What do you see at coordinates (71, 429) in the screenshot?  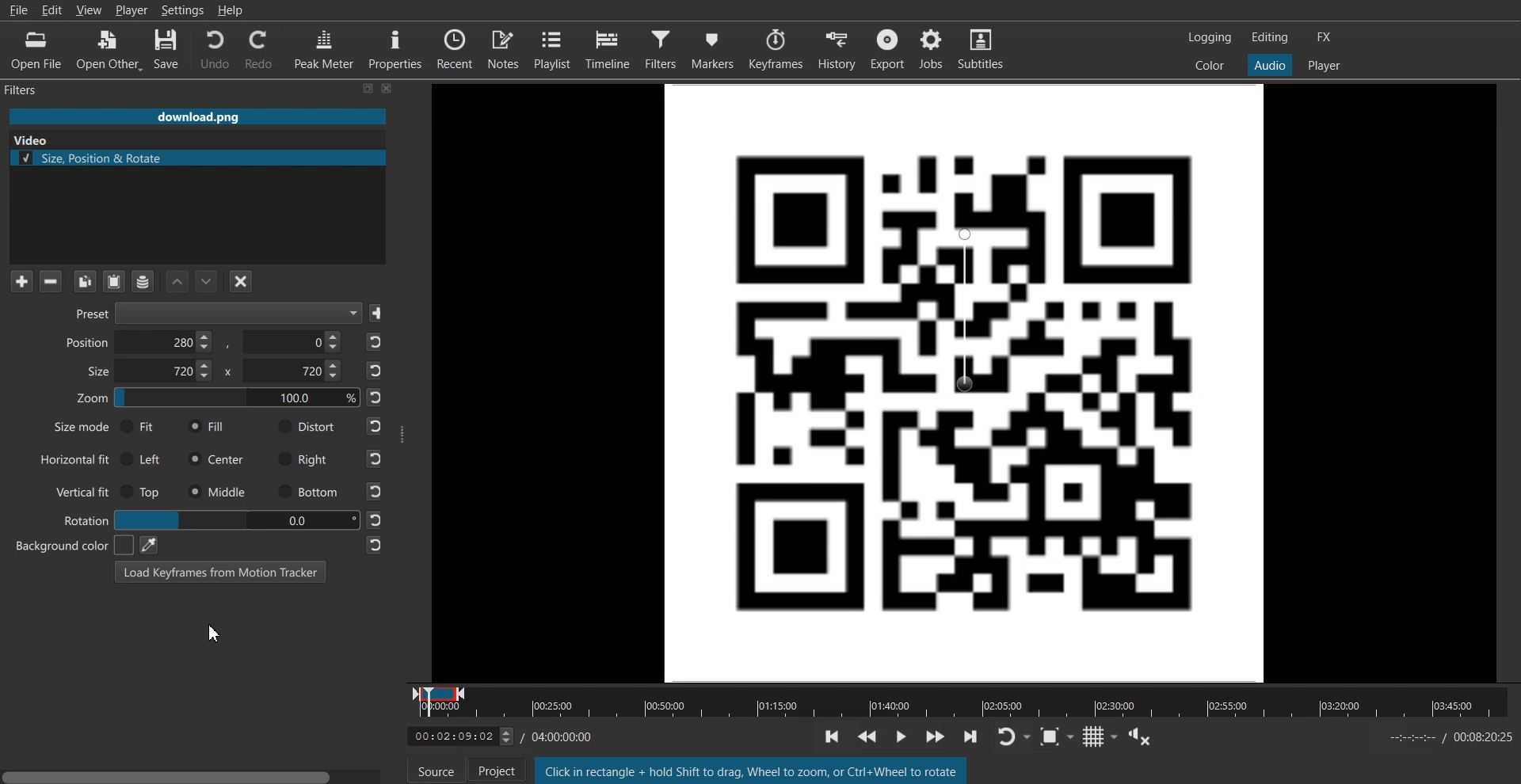 I see `Size mode` at bounding box center [71, 429].